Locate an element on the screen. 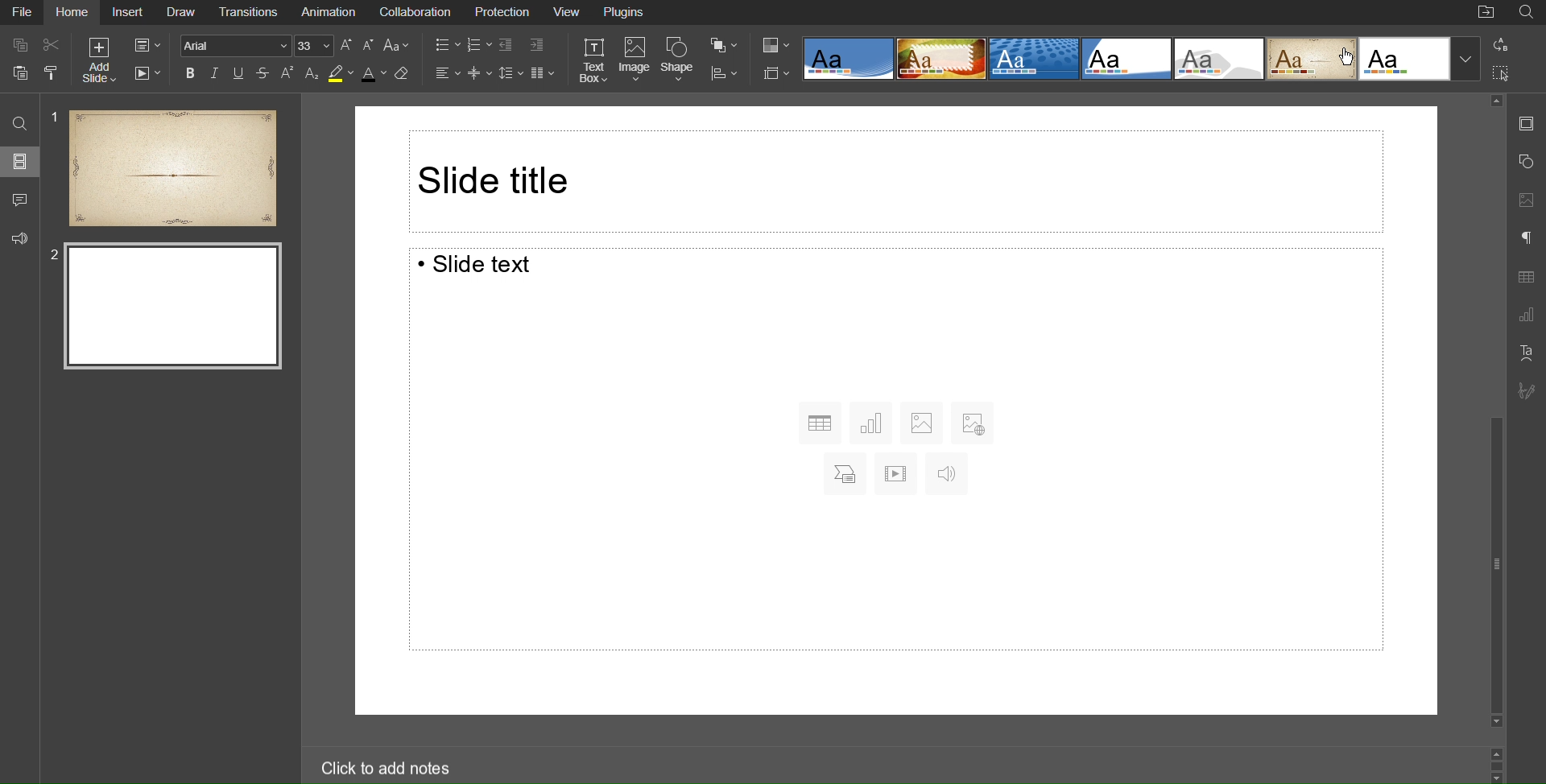 The height and width of the screenshot is (784, 1546). Slide Text is located at coordinates (900, 453).